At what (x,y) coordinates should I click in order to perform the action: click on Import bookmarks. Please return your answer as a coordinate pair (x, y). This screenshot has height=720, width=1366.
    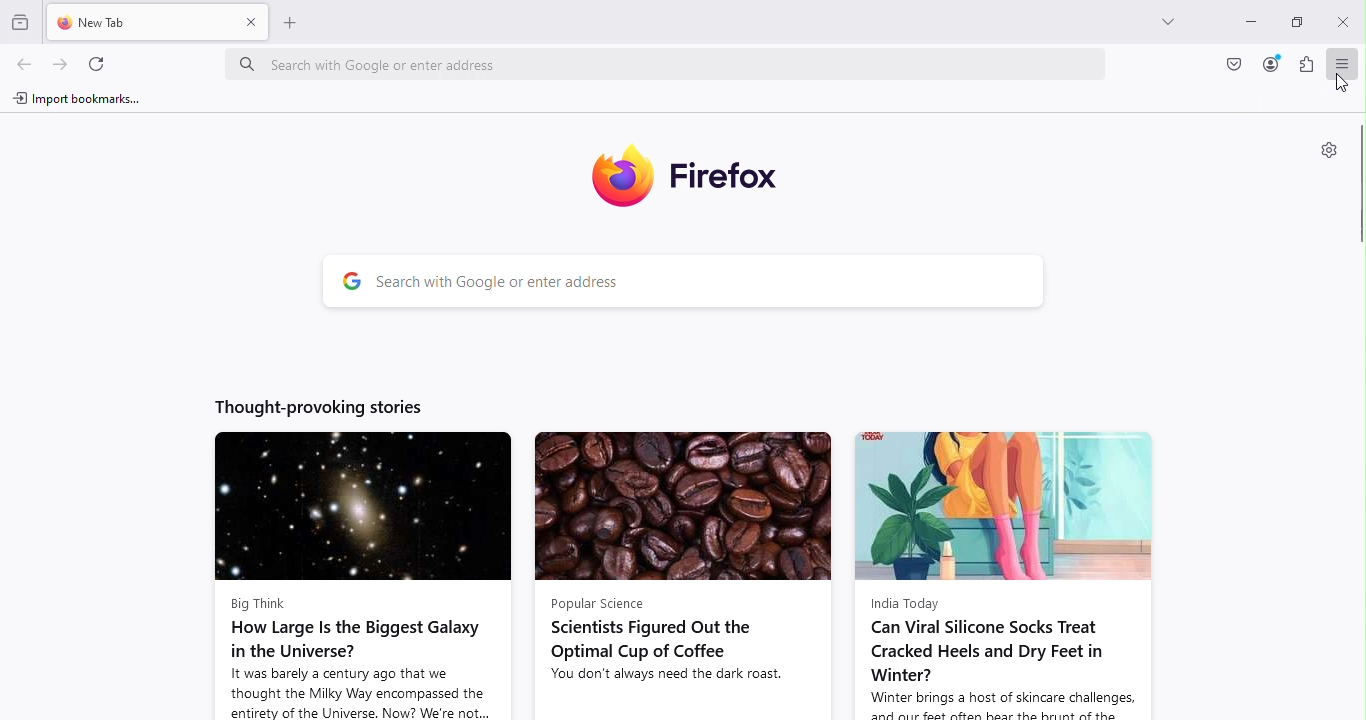
    Looking at the image, I should click on (74, 100).